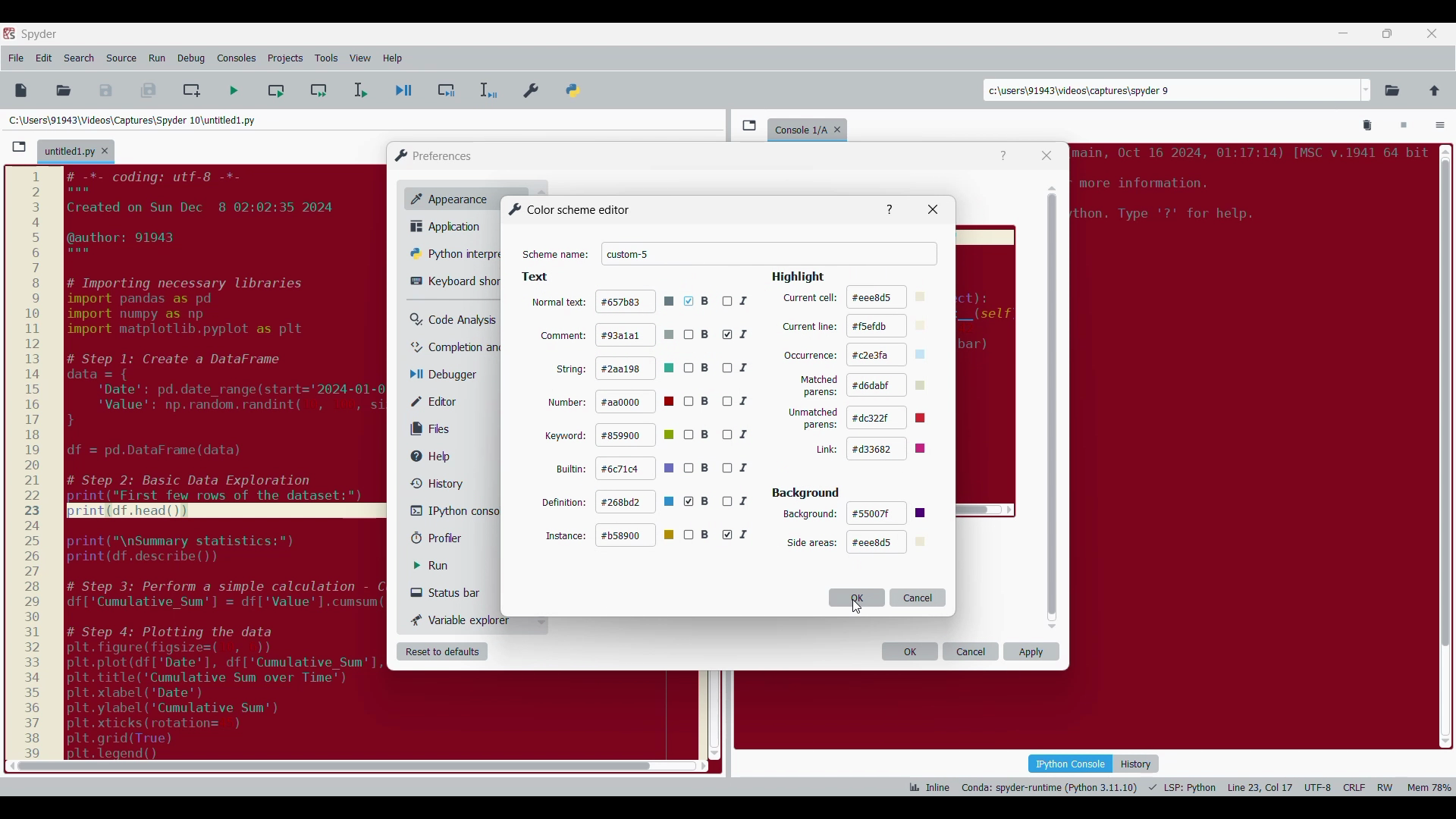 The width and height of the screenshot is (1456, 819). What do you see at coordinates (69, 152) in the screenshot?
I see `Current tab` at bounding box center [69, 152].